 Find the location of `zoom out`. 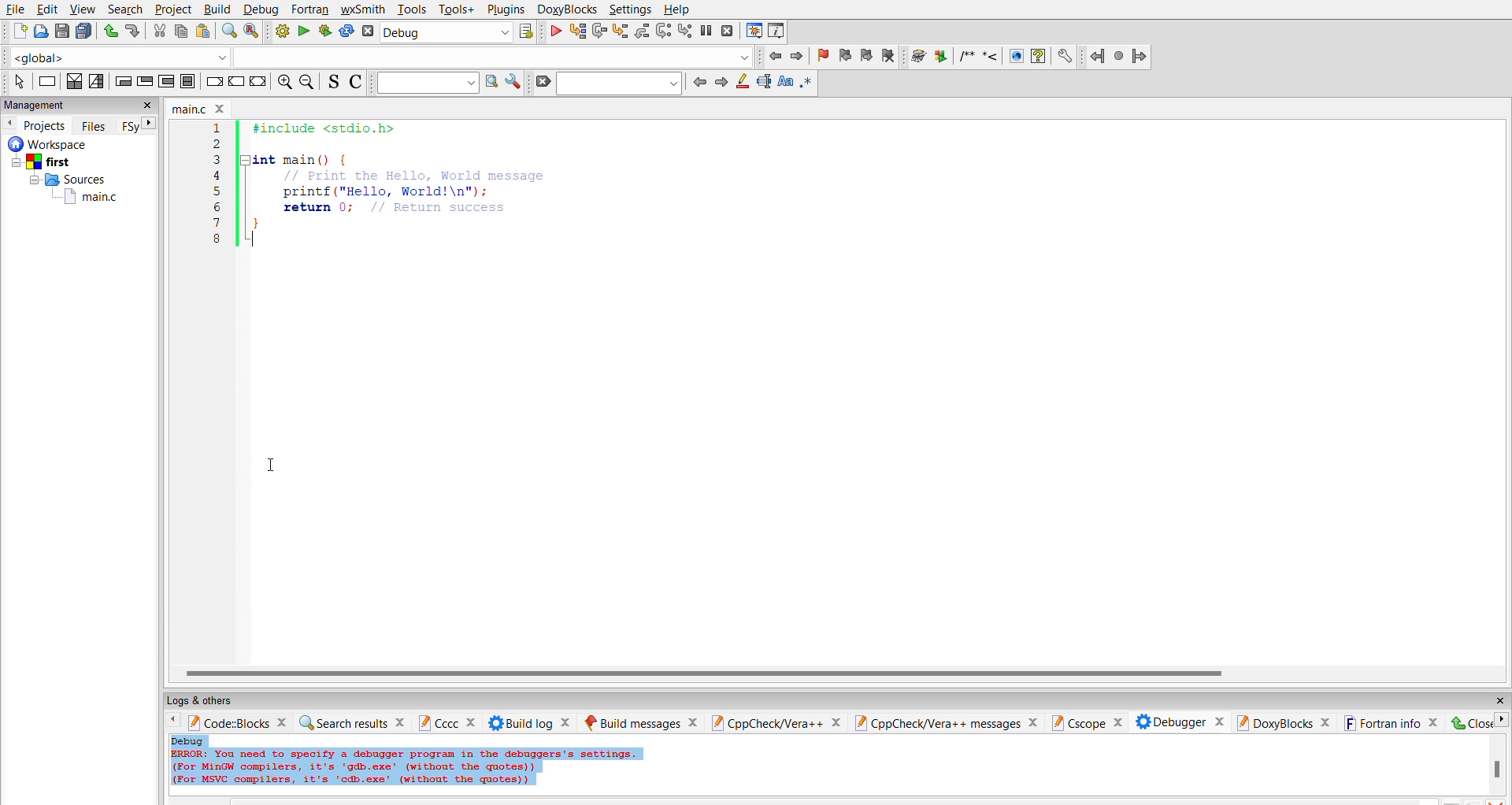

zoom out is located at coordinates (307, 82).